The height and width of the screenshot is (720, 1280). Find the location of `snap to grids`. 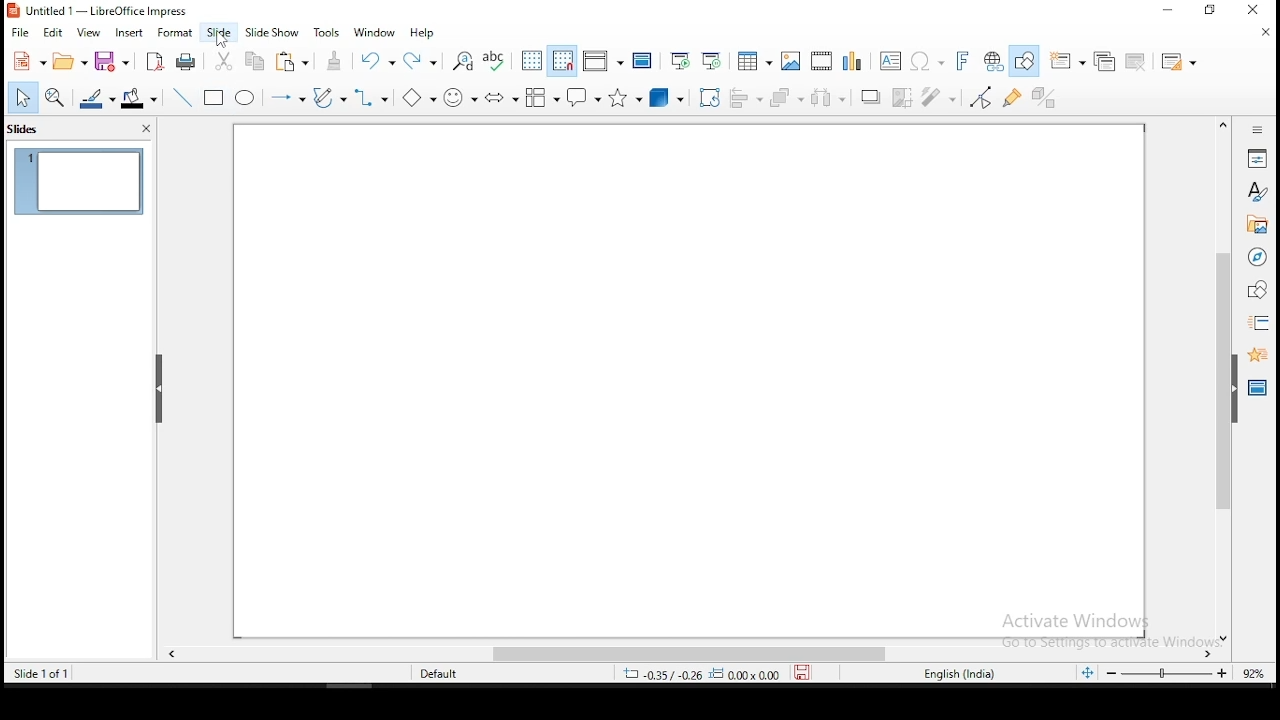

snap to grids is located at coordinates (563, 63).